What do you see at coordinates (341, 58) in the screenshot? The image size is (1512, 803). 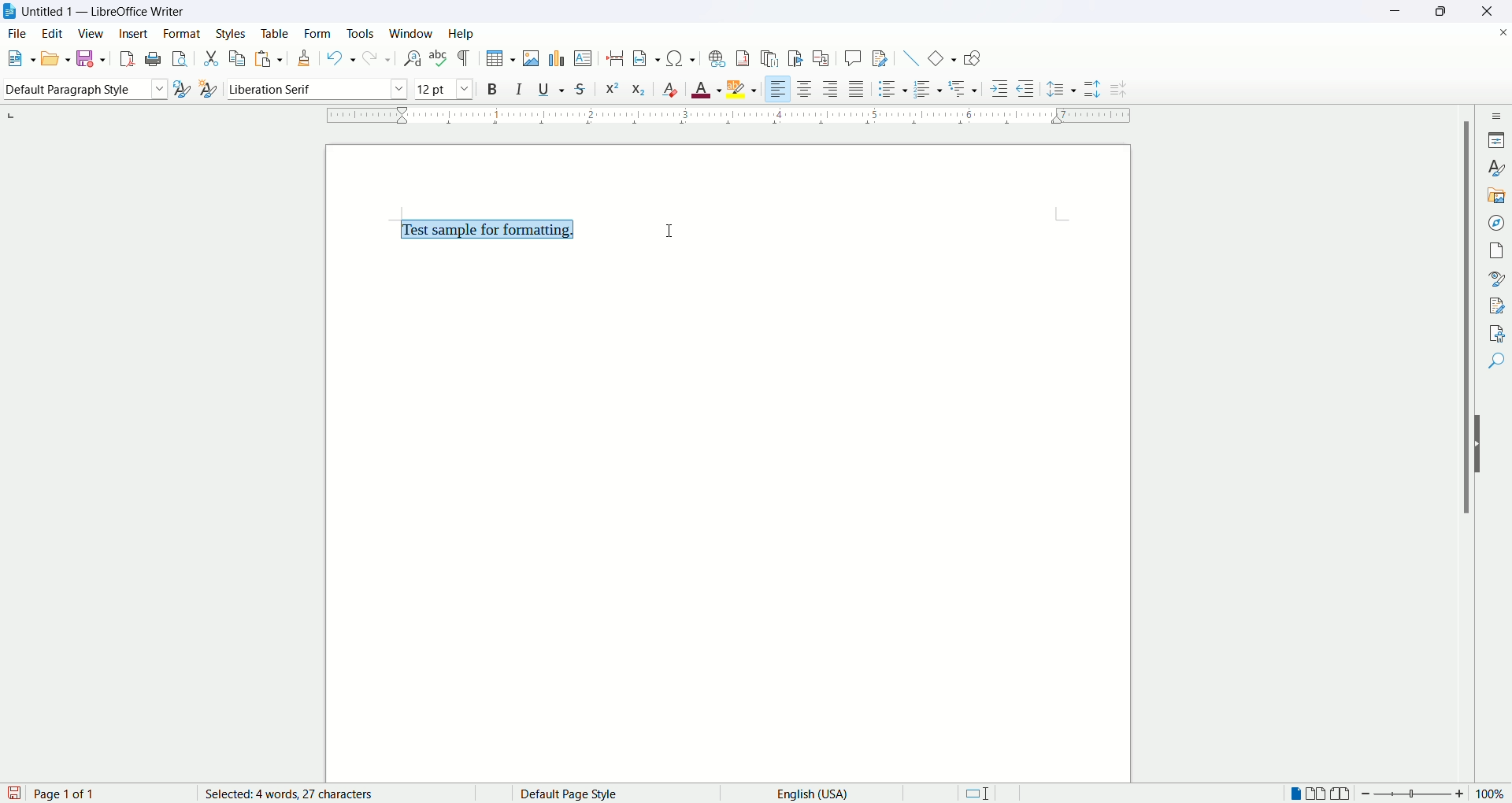 I see `undo` at bounding box center [341, 58].